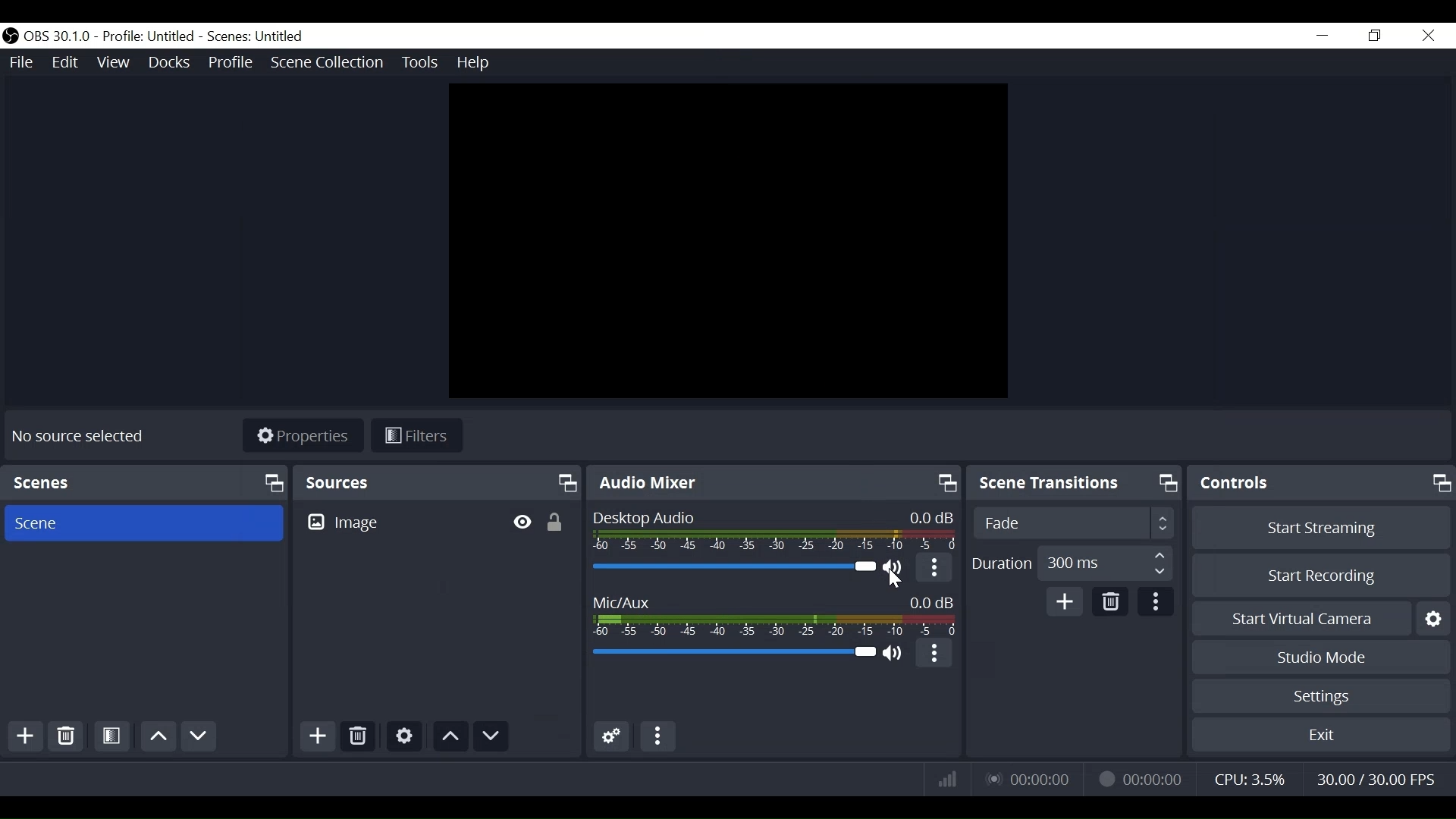 The height and width of the screenshot is (819, 1456). Describe the element at coordinates (1072, 563) in the screenshot. I see `Duration` at that location.